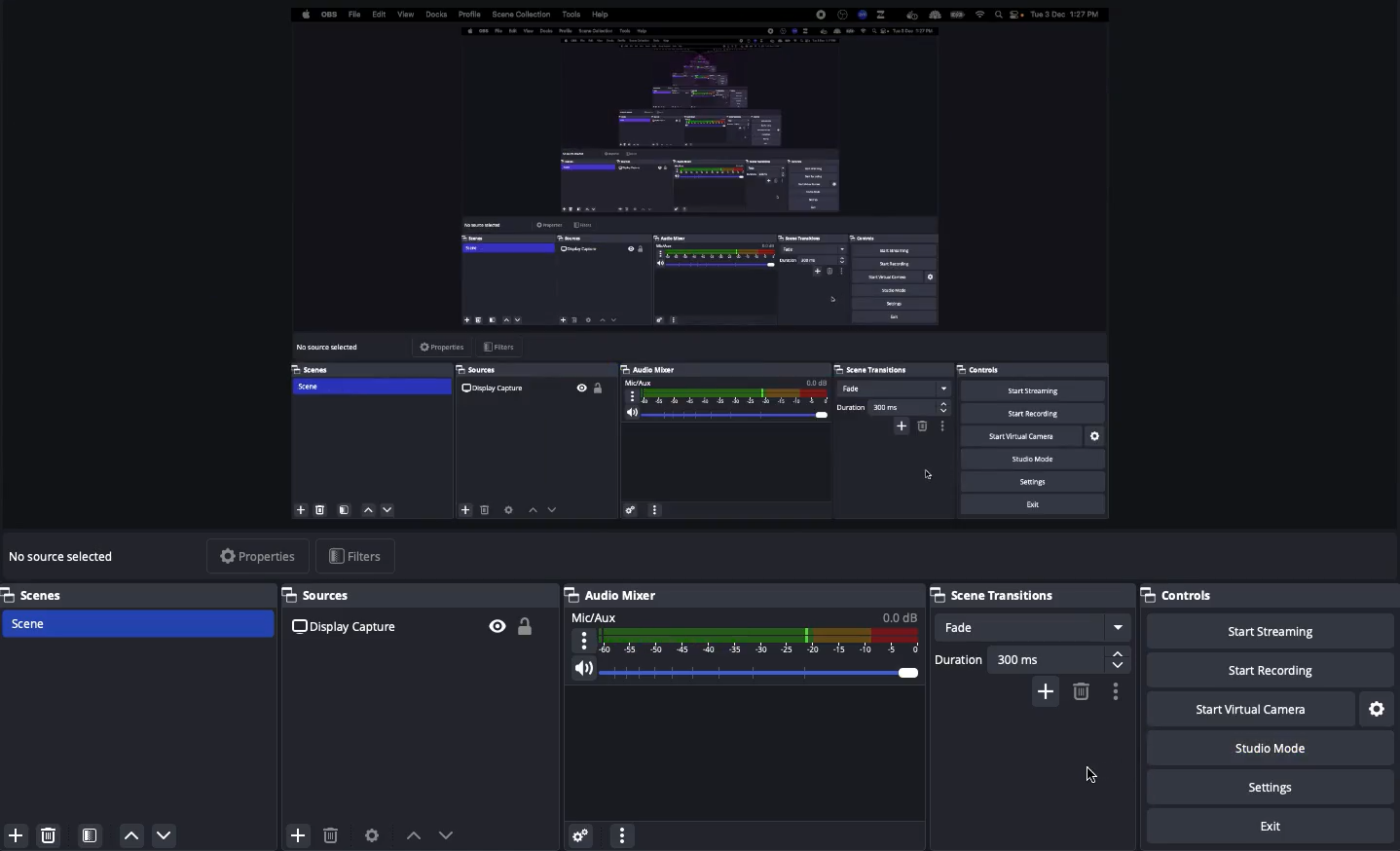 The image size is (1400, 851). I want to click on No source selected, so click(66, 557).